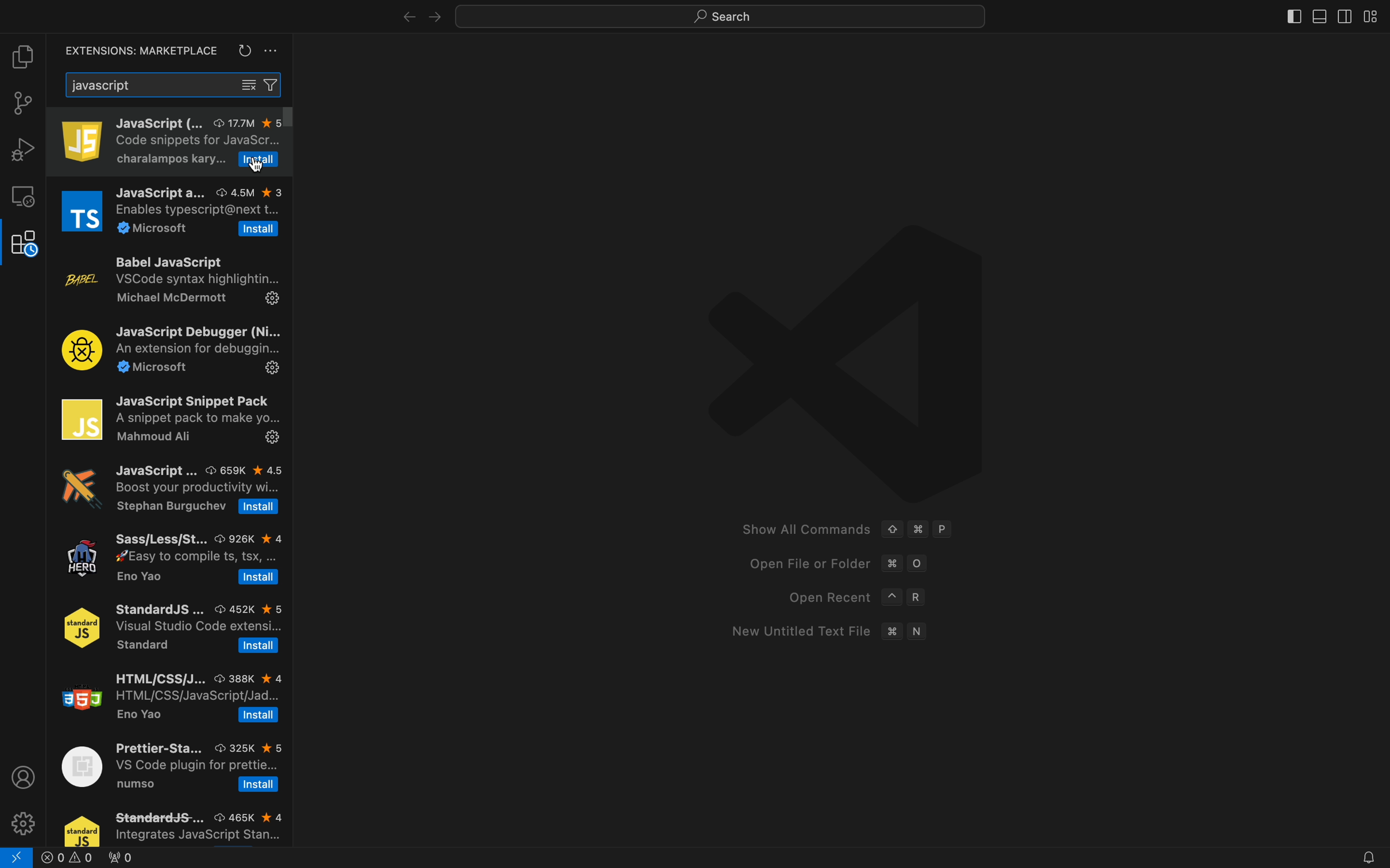  Describe the element at coordinates (1365, 856) in the screenshot. I see `notification` at that location.